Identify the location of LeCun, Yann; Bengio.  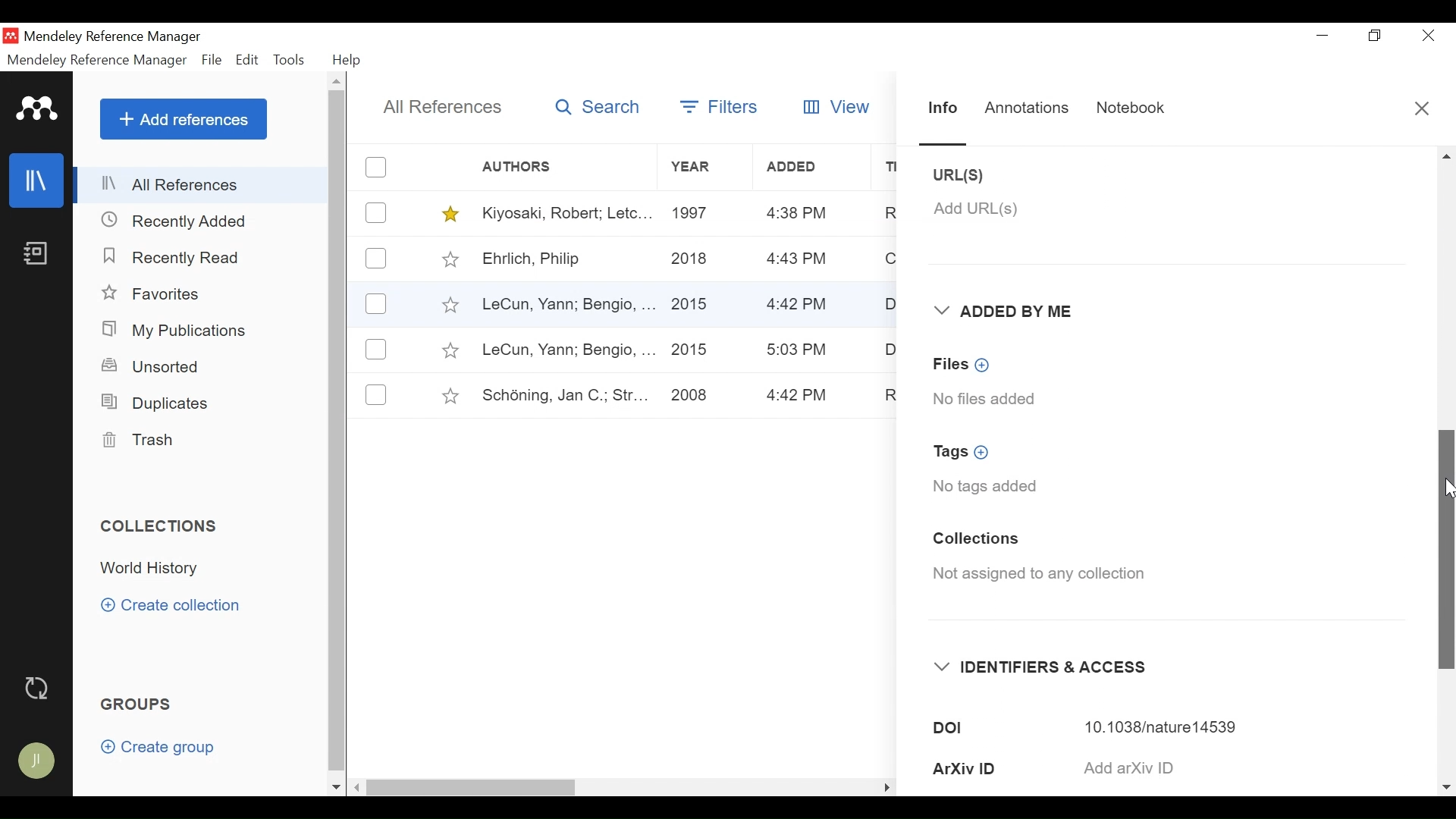
(567, 350).